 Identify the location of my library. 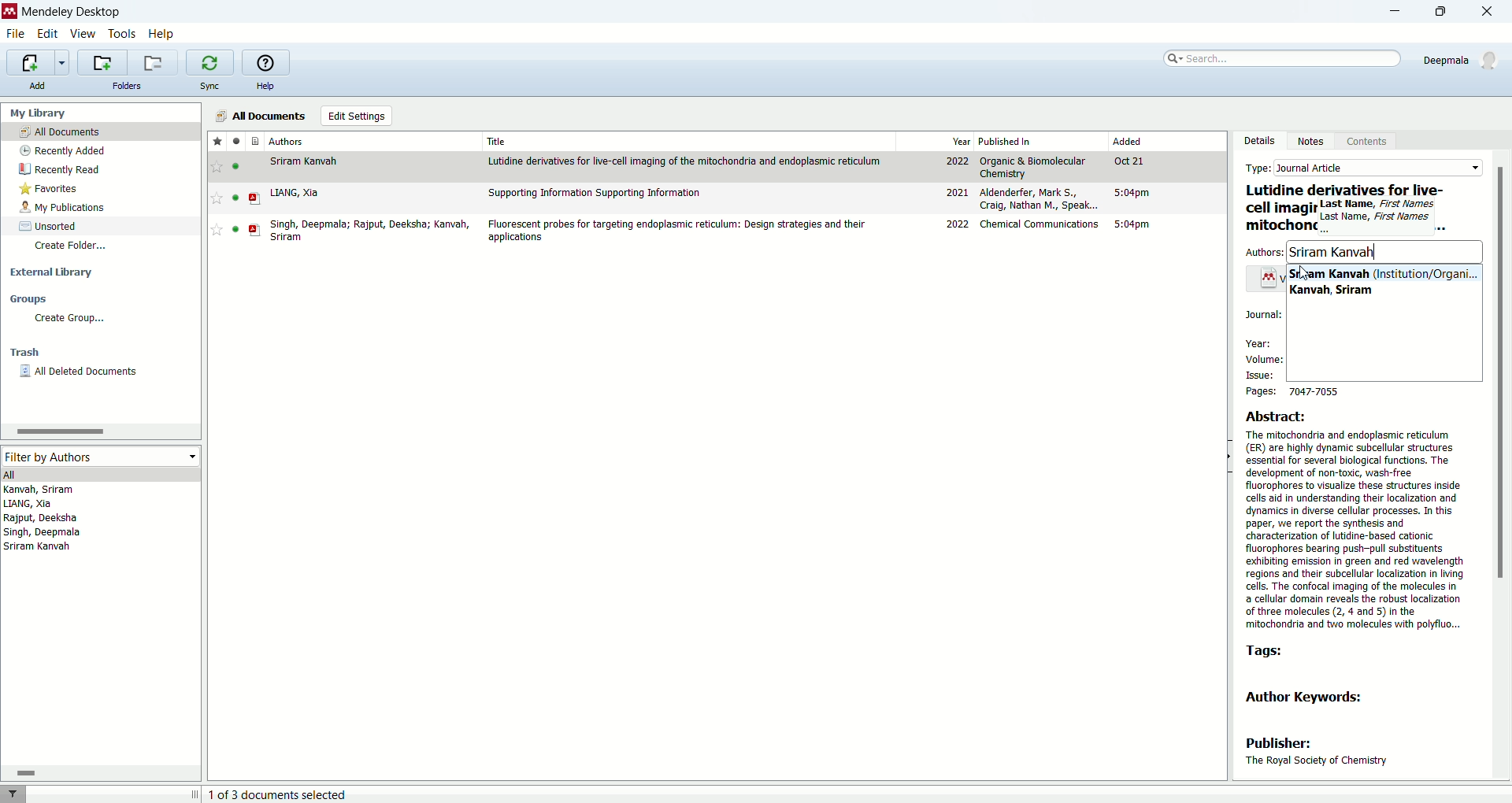
(42, 114).